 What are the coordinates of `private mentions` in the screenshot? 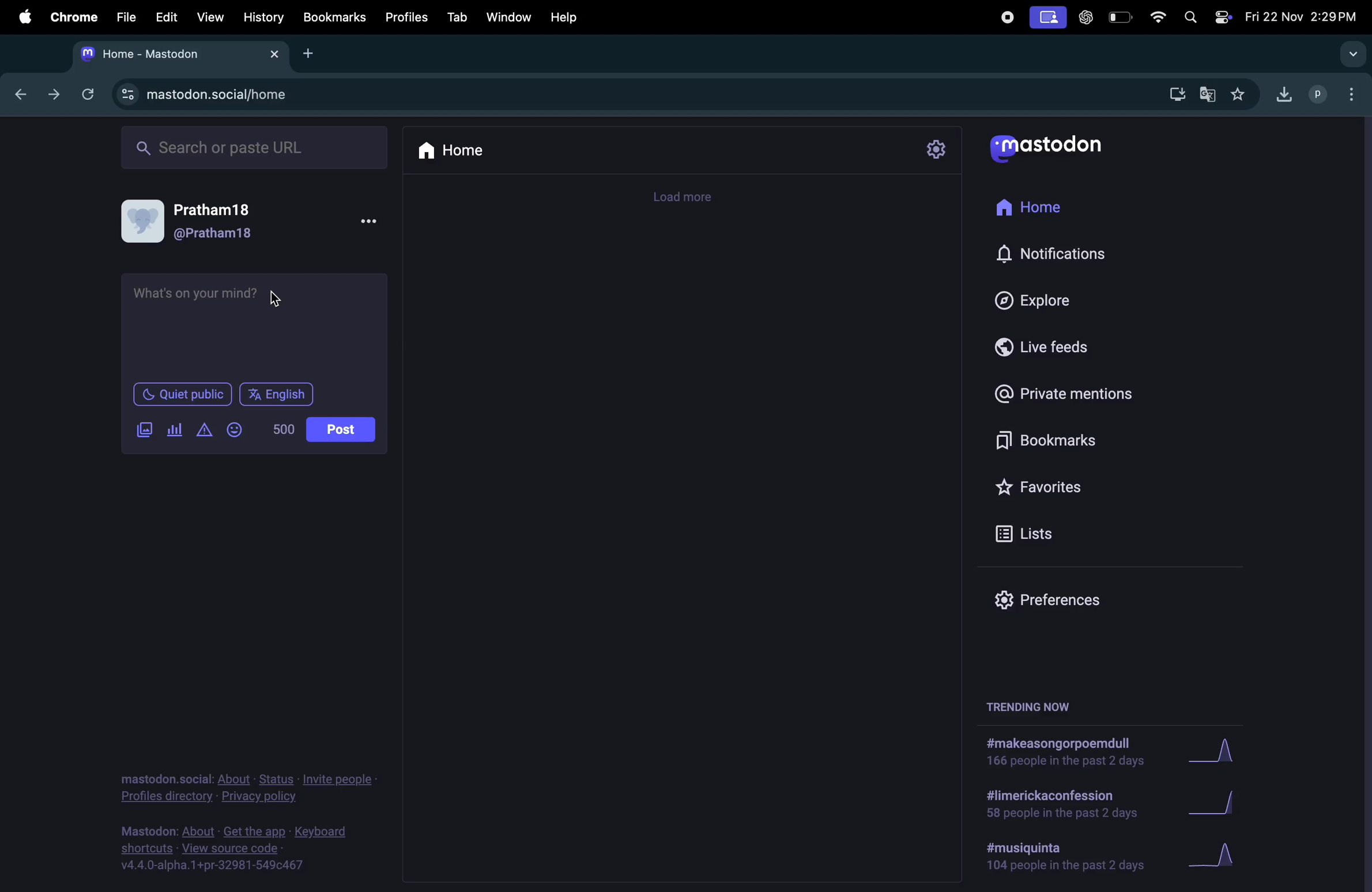 It's located at (1083, 394).